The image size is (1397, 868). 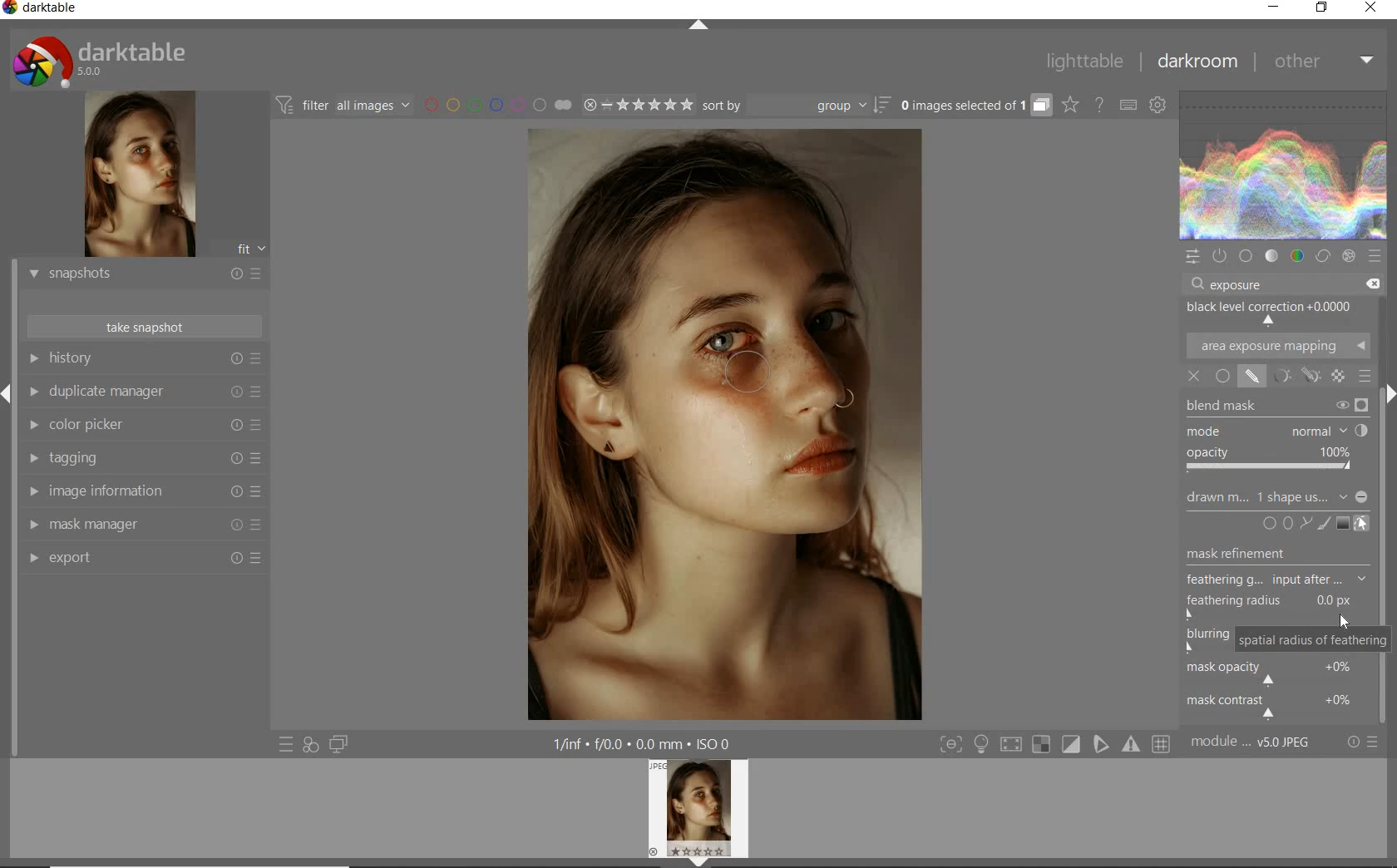 What do you see at coordinates (1314, 639) in the screenshot?
I see `spatial radius of feathering` at bounding box center [1314, 639].